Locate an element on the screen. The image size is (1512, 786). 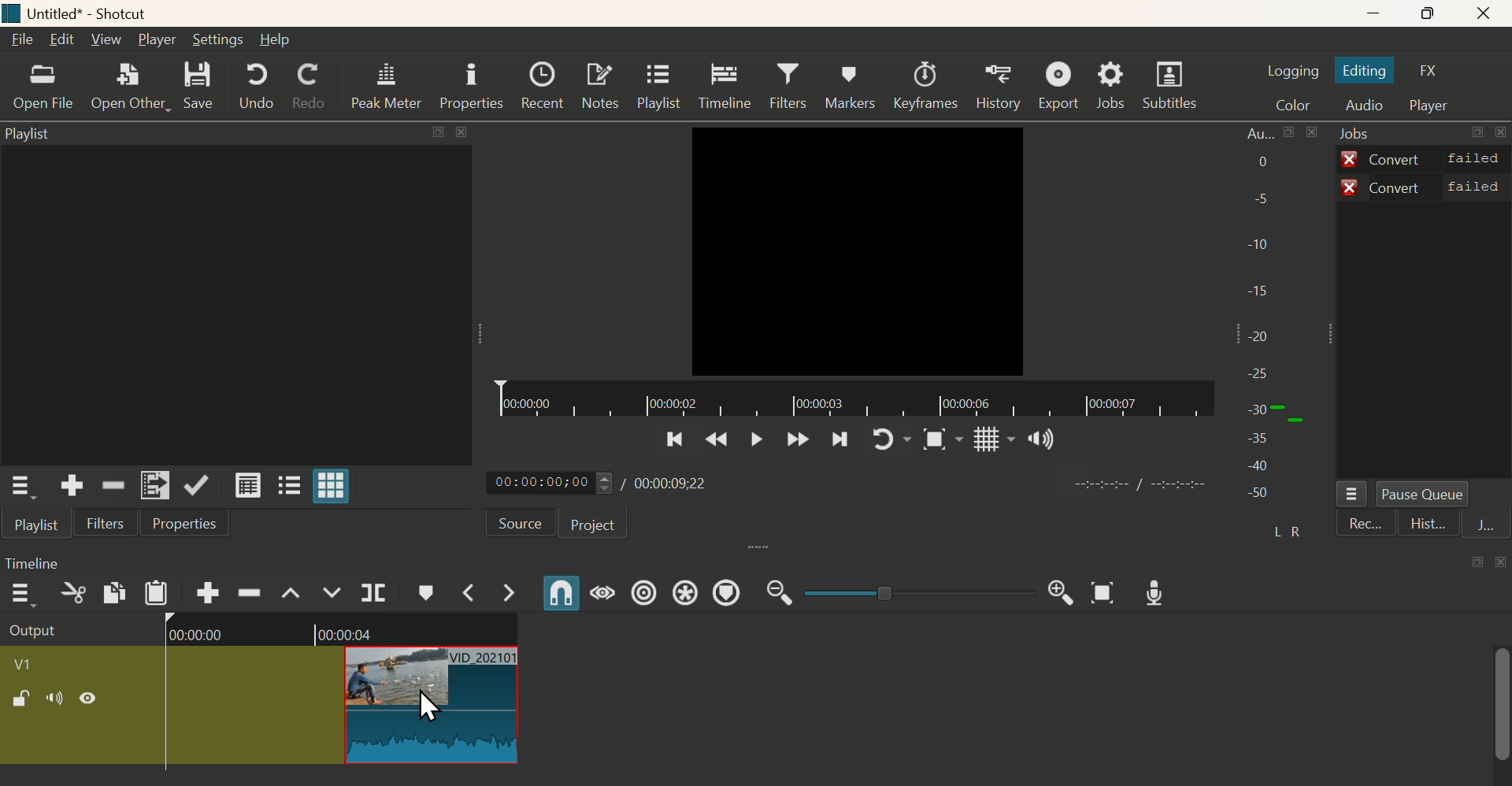
Sound is located at coordinates (1039, 439).